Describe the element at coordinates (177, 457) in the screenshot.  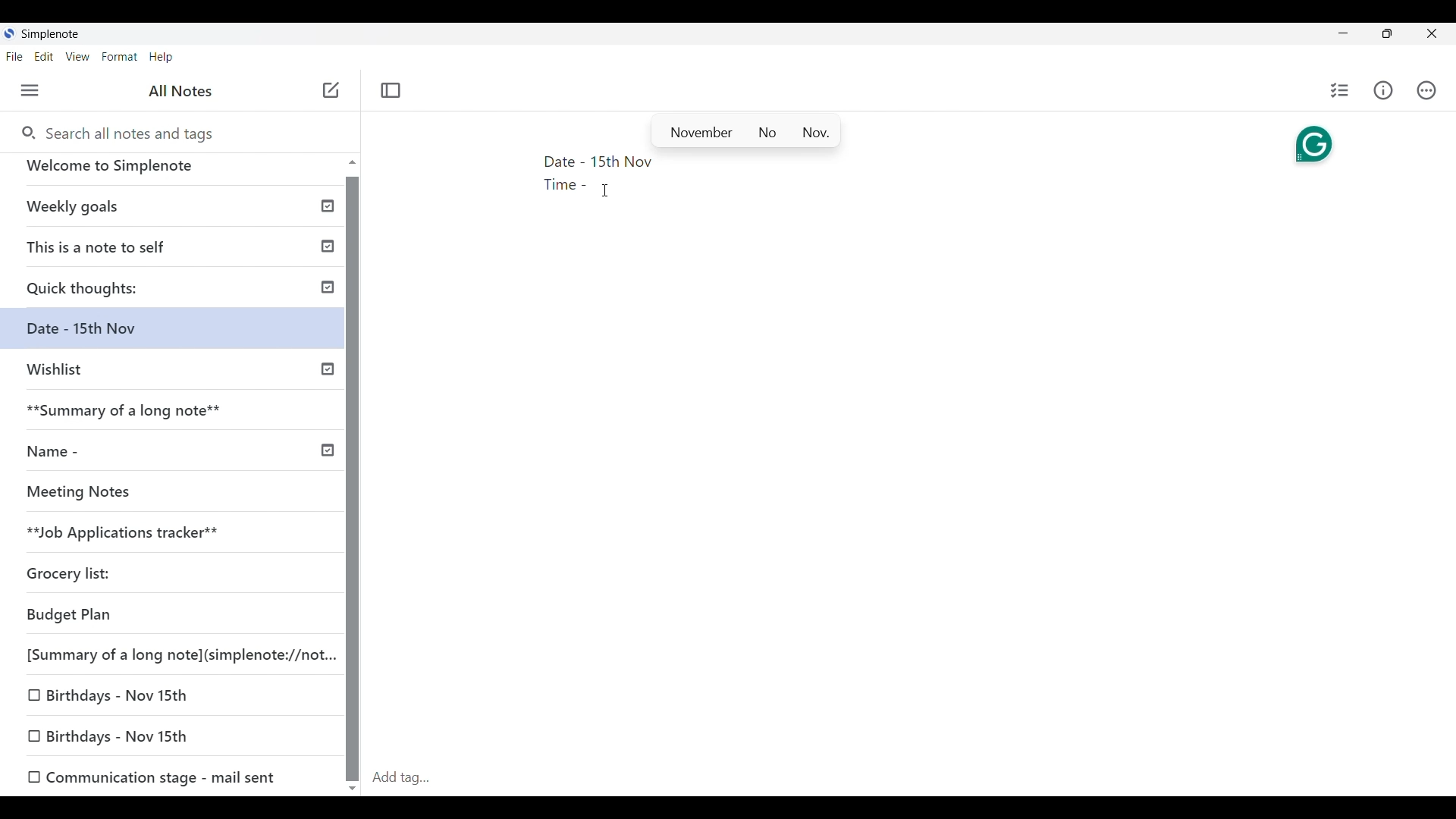
I see `Published note indicated by check icon` at that location.